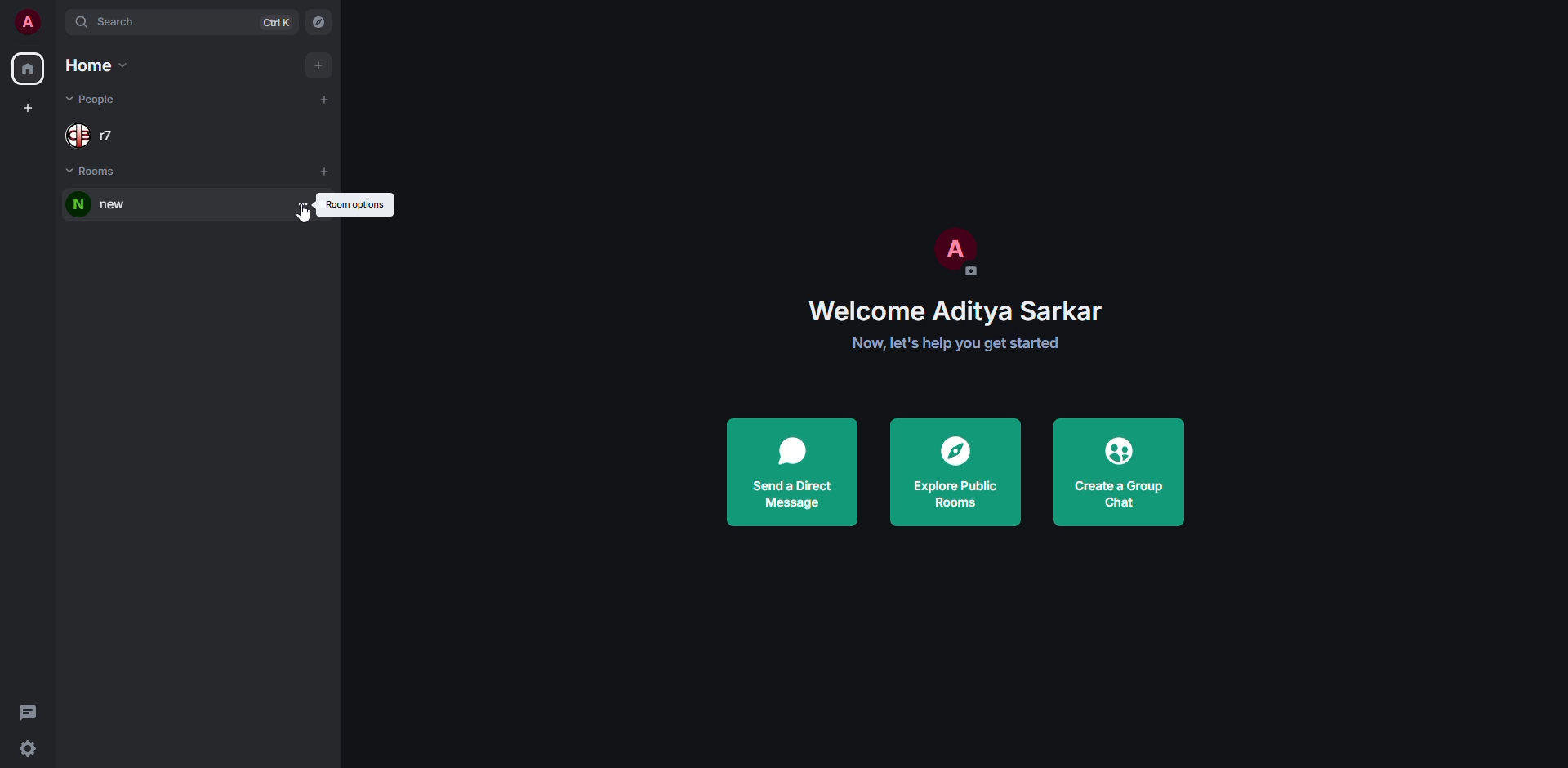  What do you see at coordinates (91, 100) in the screenshot?
I see `people` at bounding box center [91, 100].